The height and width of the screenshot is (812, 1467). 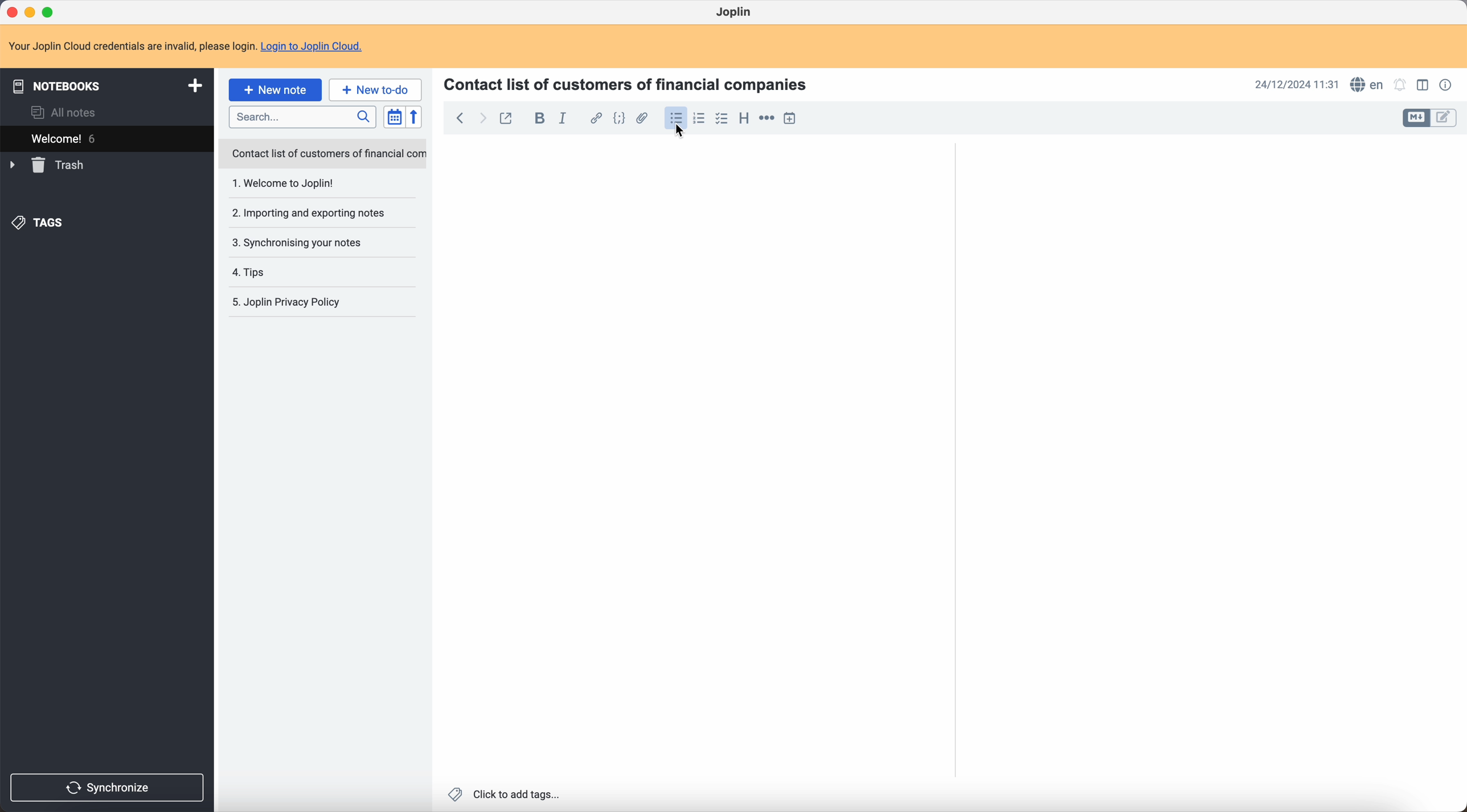 What do you see at coordinates (305, 117) in the screenshot?
I see `search bar` at bounding box center [305, 117].